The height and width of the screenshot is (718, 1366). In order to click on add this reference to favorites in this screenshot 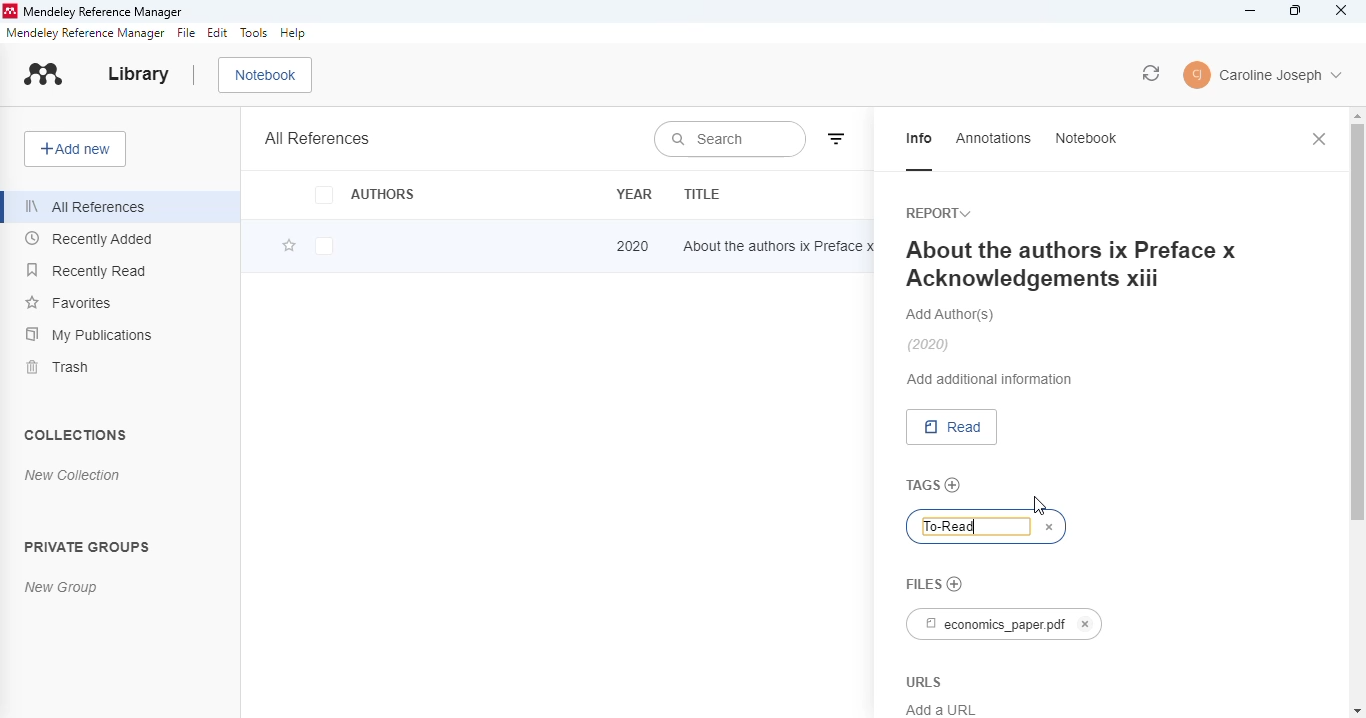, I will do `click(289, 246)`.